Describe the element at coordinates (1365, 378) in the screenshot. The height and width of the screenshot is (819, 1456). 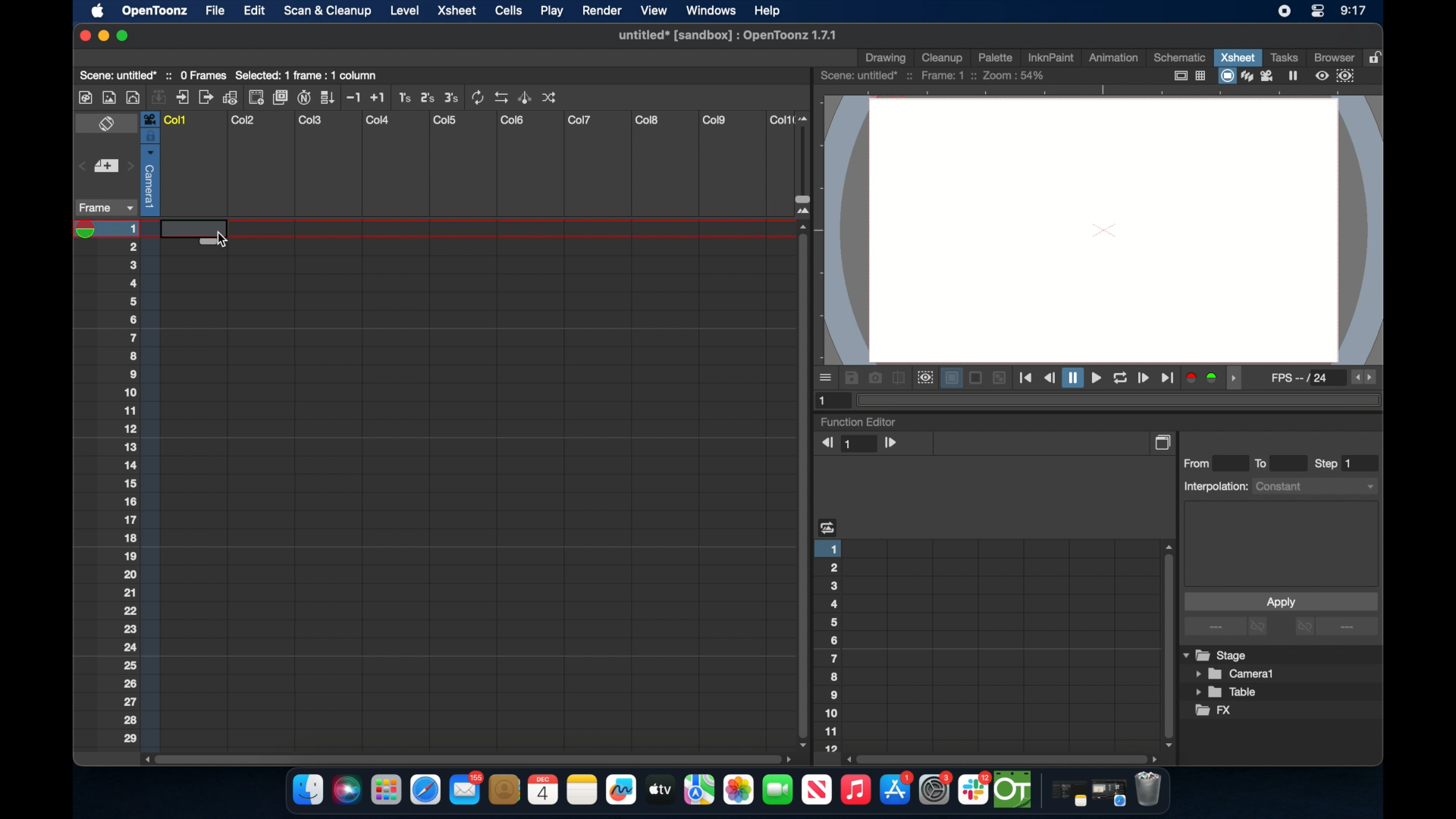
I see `fps` at that location.